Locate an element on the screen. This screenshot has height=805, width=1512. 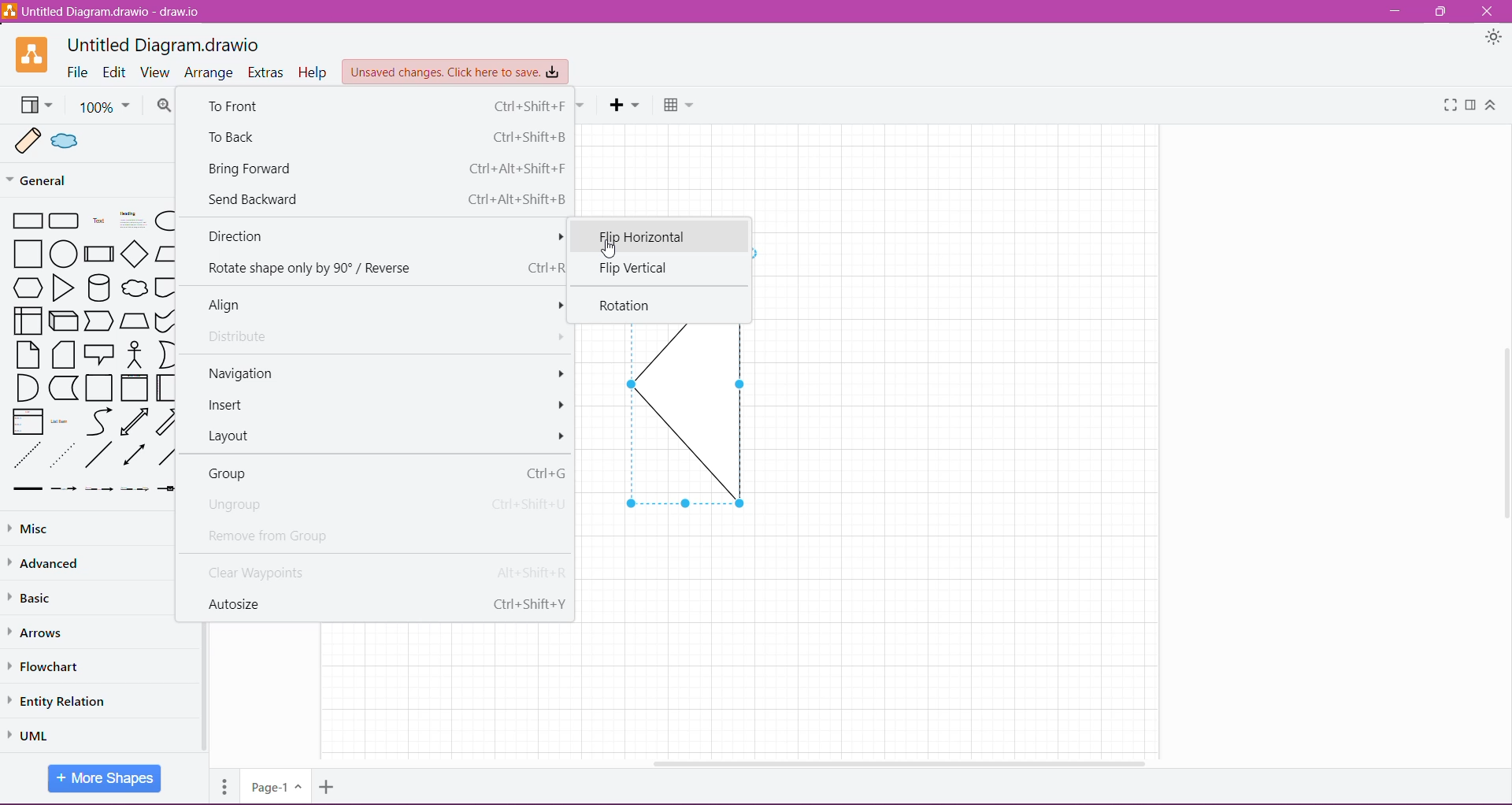
Extras is located at coordinates (265, 73).